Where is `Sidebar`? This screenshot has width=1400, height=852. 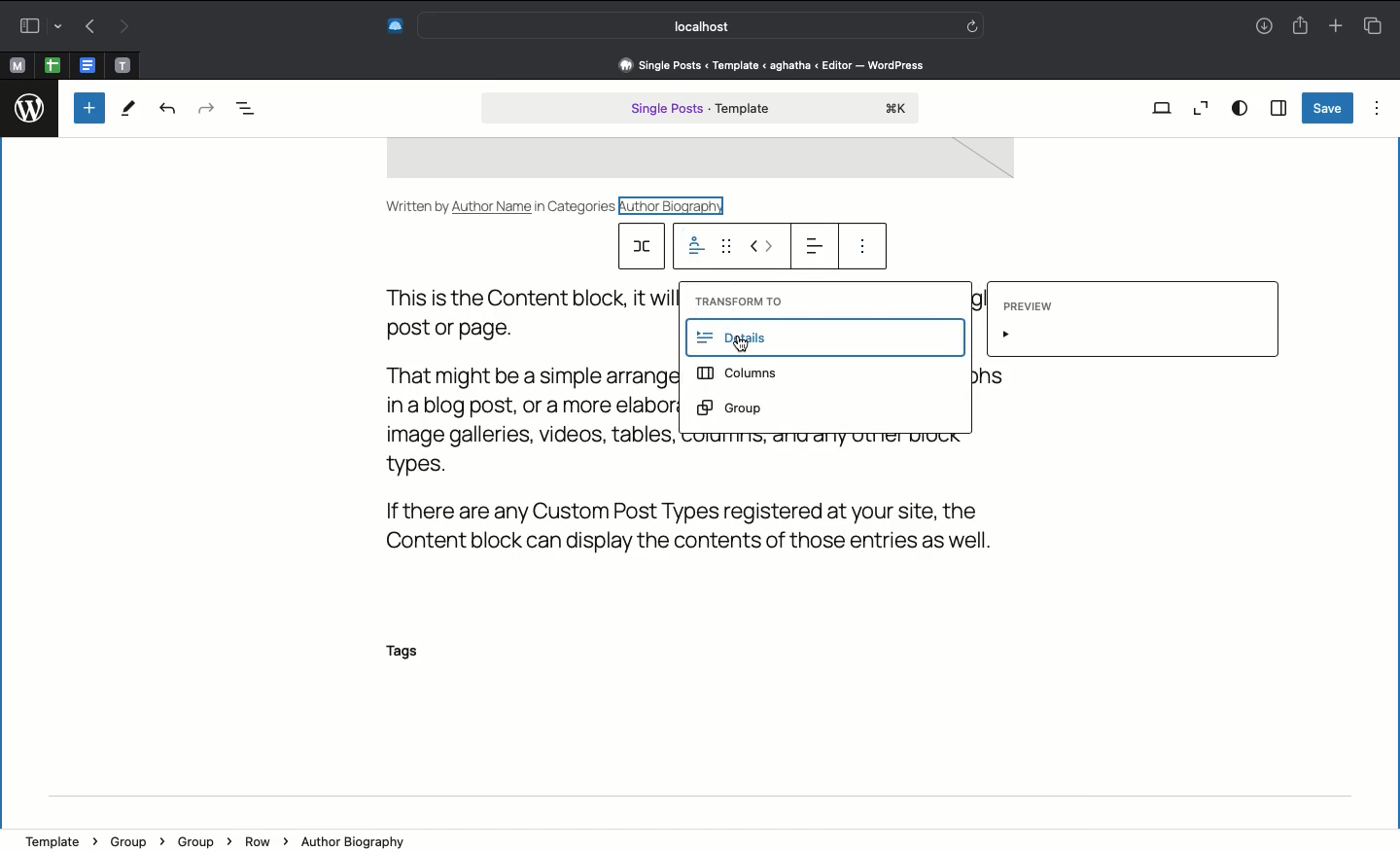
Sidebar is located at coordinates (36, 26).